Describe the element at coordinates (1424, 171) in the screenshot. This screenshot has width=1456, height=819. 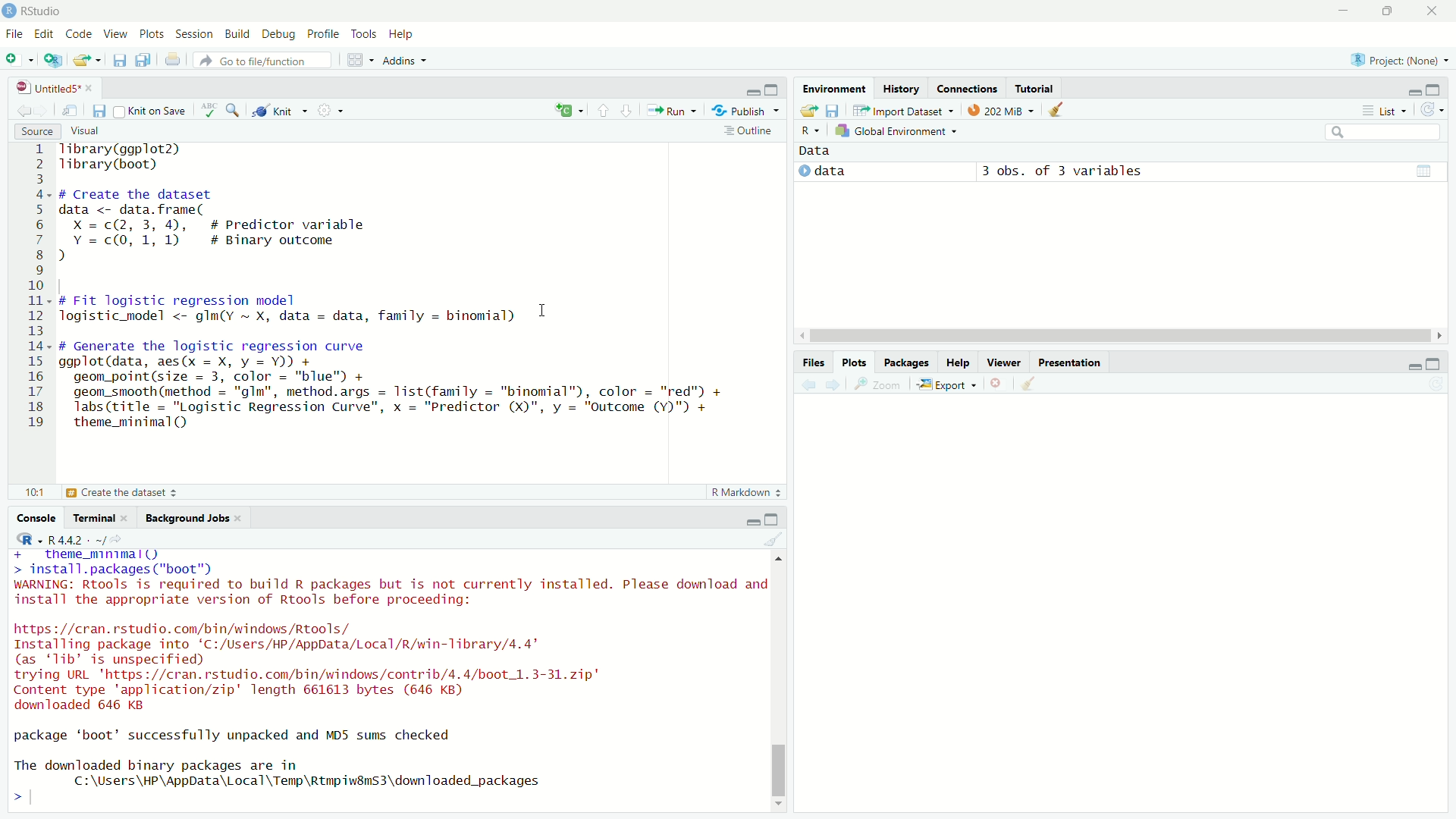
I see `Grid view` at that location.